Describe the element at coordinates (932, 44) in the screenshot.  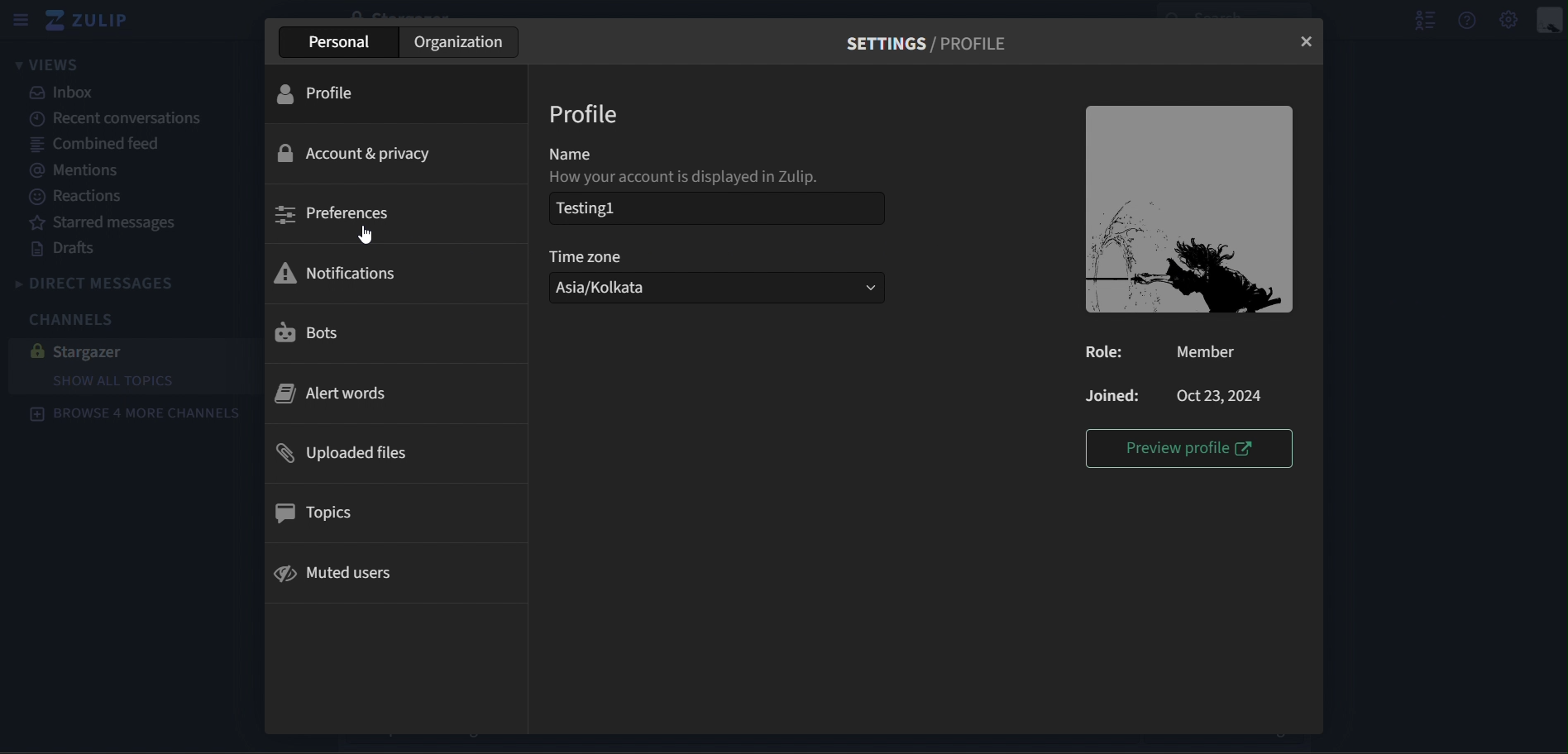
I see `settings/Profile` at that location.